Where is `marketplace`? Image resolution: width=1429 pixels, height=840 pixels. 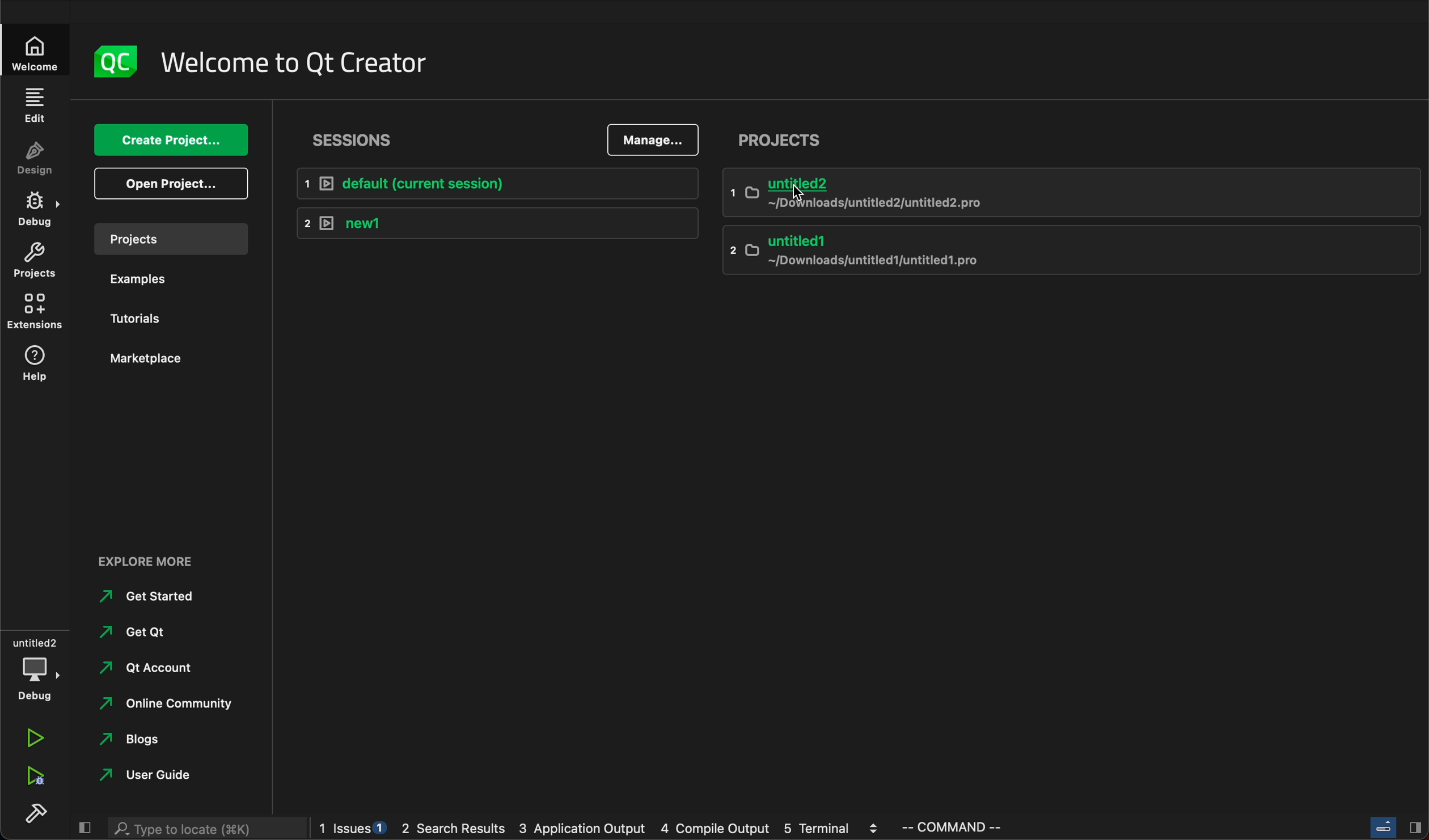 marketplace is located at coordinates (167, 358).